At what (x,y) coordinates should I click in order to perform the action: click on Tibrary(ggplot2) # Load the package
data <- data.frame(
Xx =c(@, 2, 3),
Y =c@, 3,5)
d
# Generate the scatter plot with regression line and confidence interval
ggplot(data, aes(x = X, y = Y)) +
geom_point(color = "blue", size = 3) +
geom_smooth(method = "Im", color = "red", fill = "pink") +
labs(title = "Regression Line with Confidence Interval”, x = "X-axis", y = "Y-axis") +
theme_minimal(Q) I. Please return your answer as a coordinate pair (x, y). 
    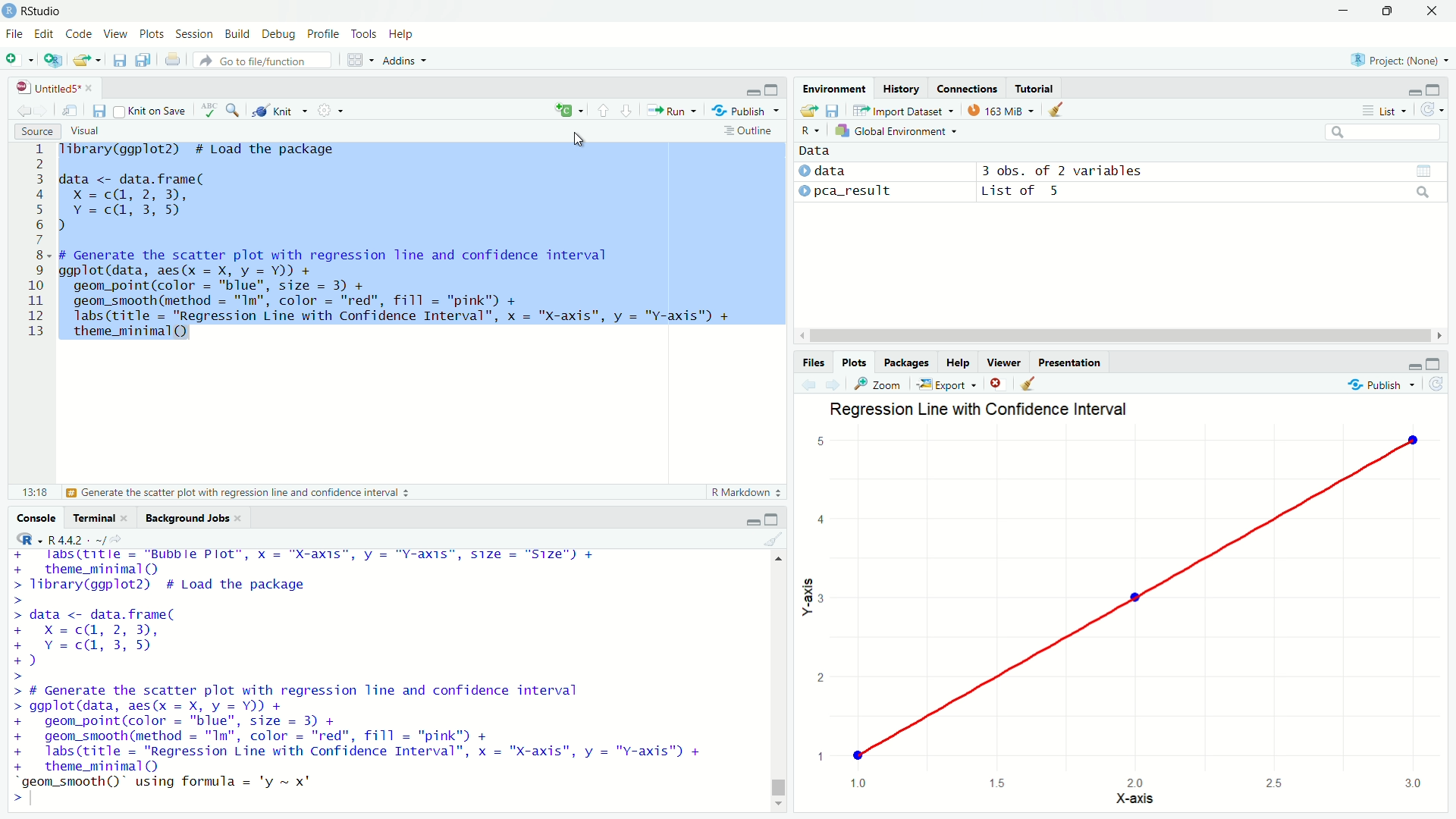
    Looking at the image, I should click on (394, 245).